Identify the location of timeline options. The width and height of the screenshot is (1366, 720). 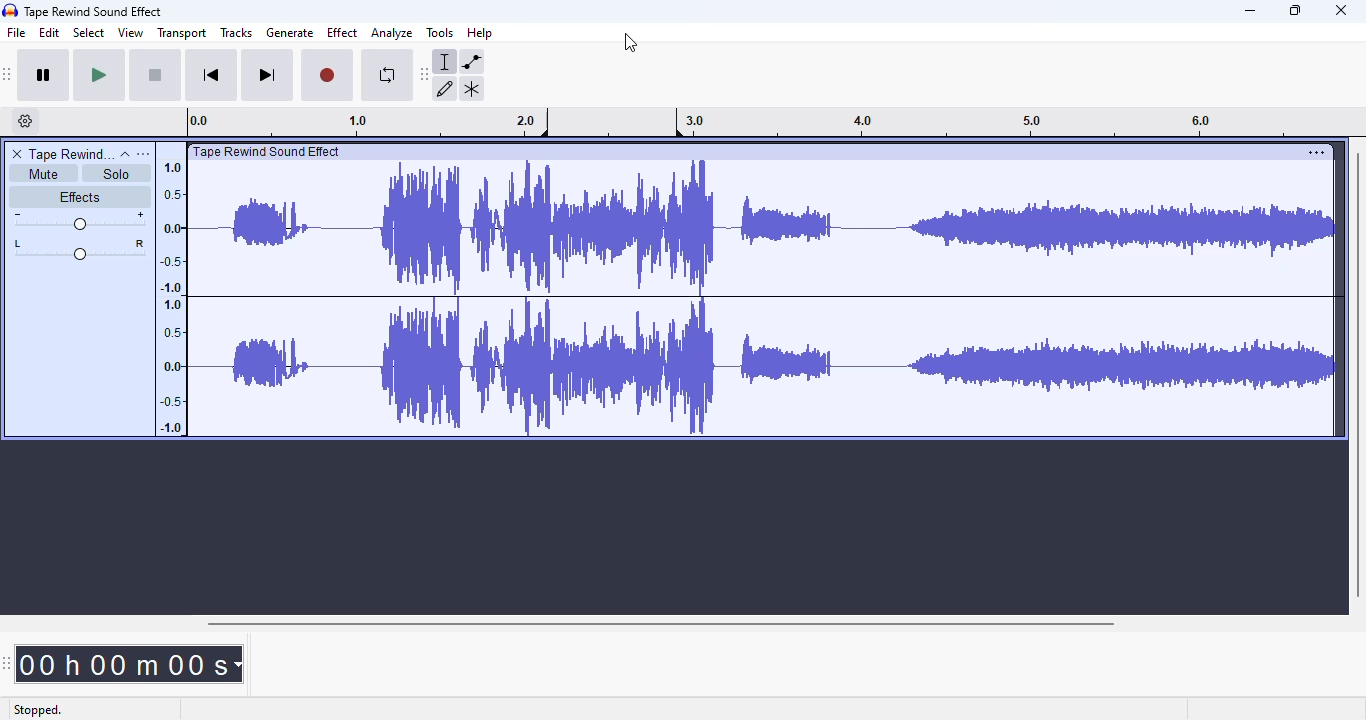
(27, 121).